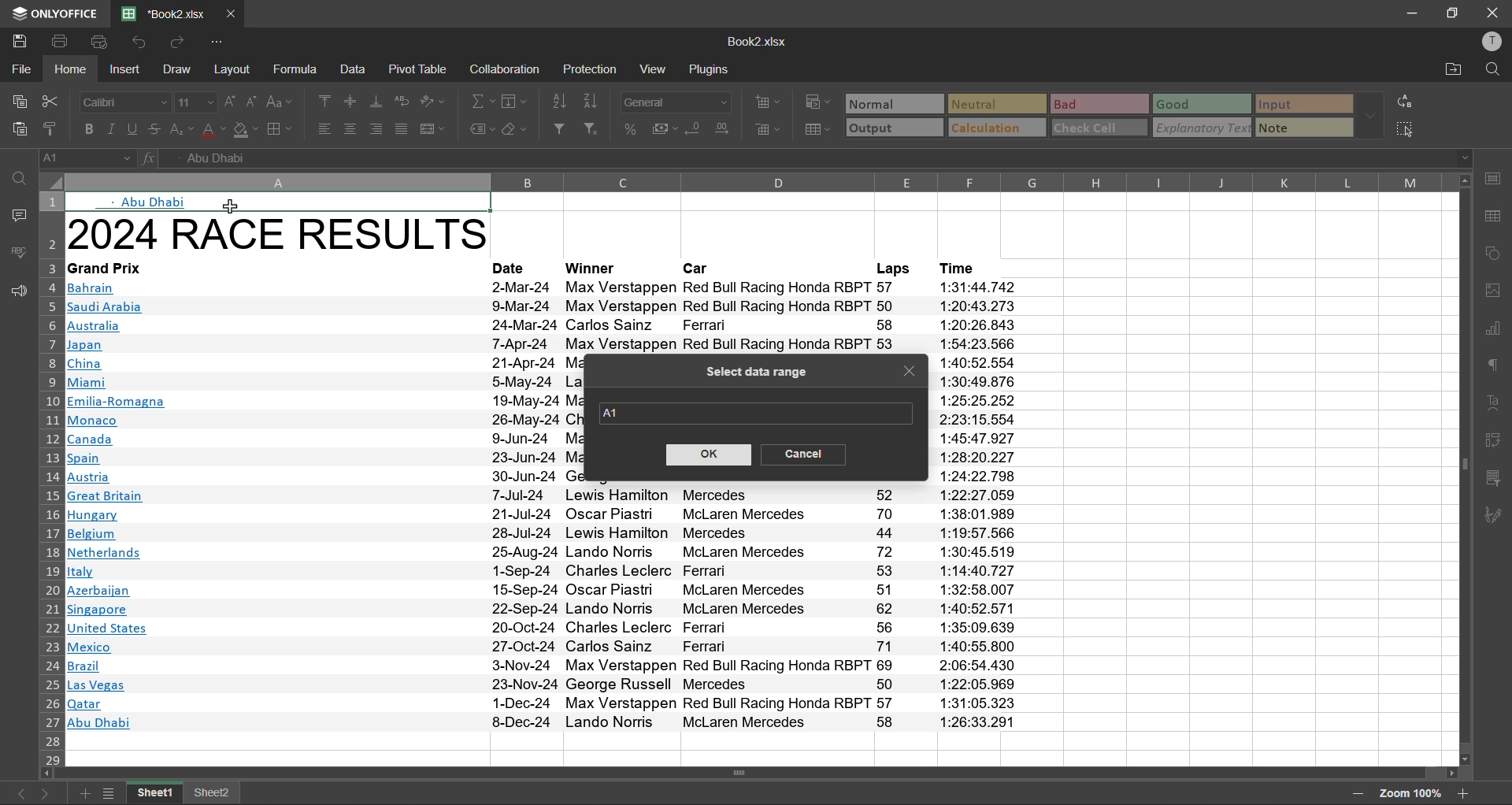 This screenshot has width=1512, height=805. Describe the element at coordinates (148, 792) in the screenshot. I see `freeze panes` at that location.